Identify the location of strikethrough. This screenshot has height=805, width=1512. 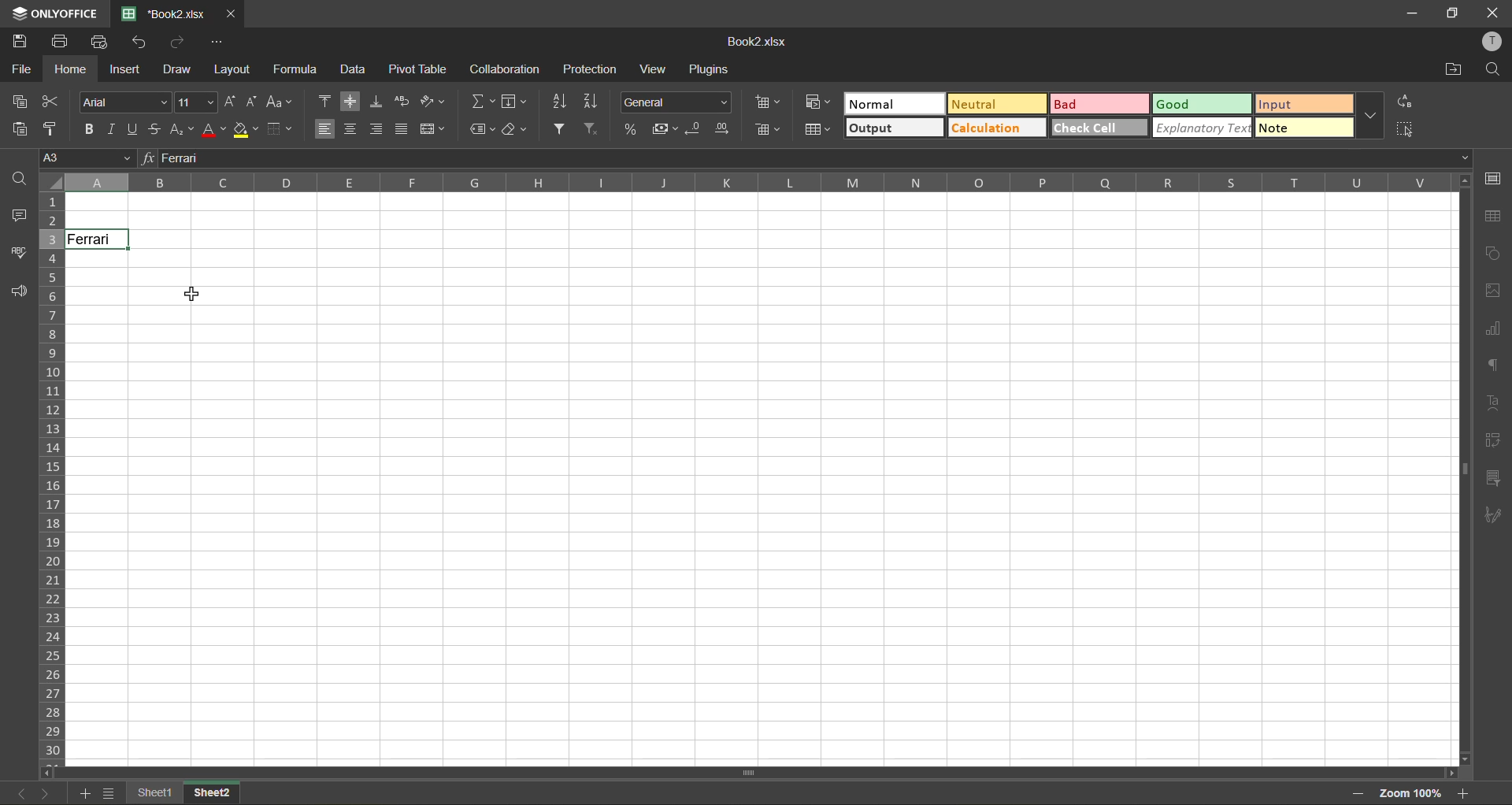
(156, 128).